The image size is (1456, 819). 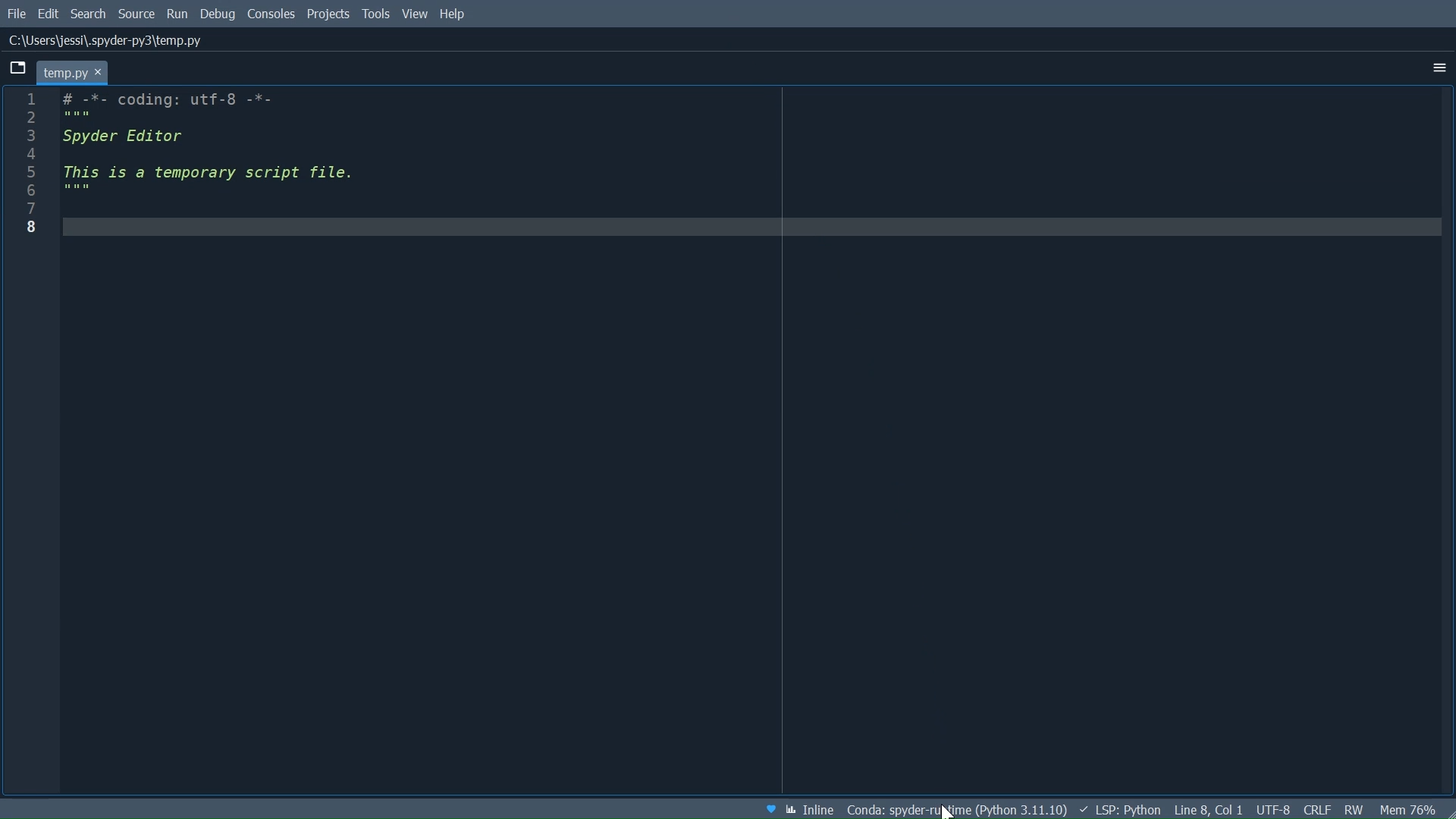 I want to click on File, so click(x=17, y=14).